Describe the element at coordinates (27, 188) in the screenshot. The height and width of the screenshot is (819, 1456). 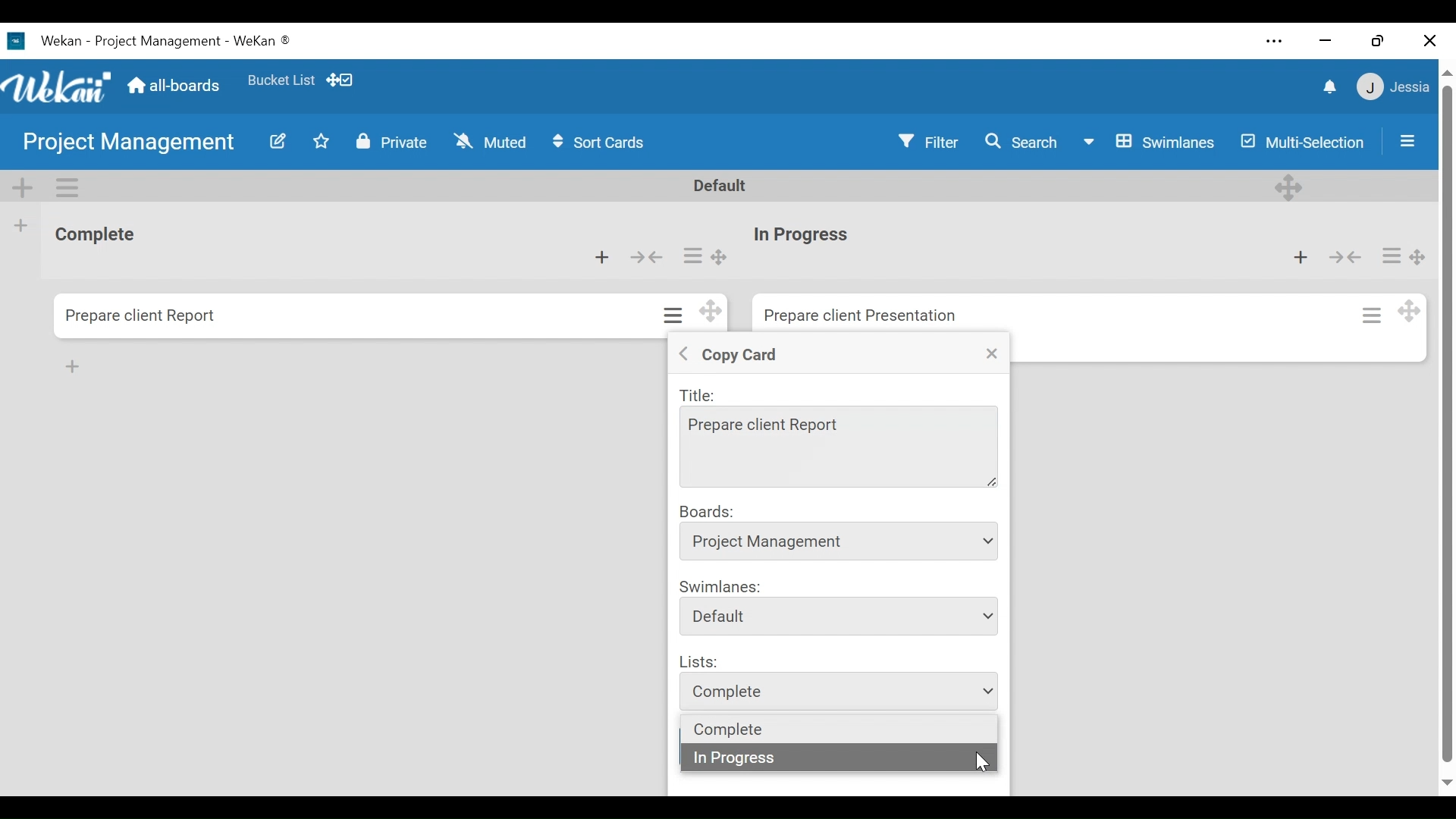
I see `Add Swimlane` at that location.